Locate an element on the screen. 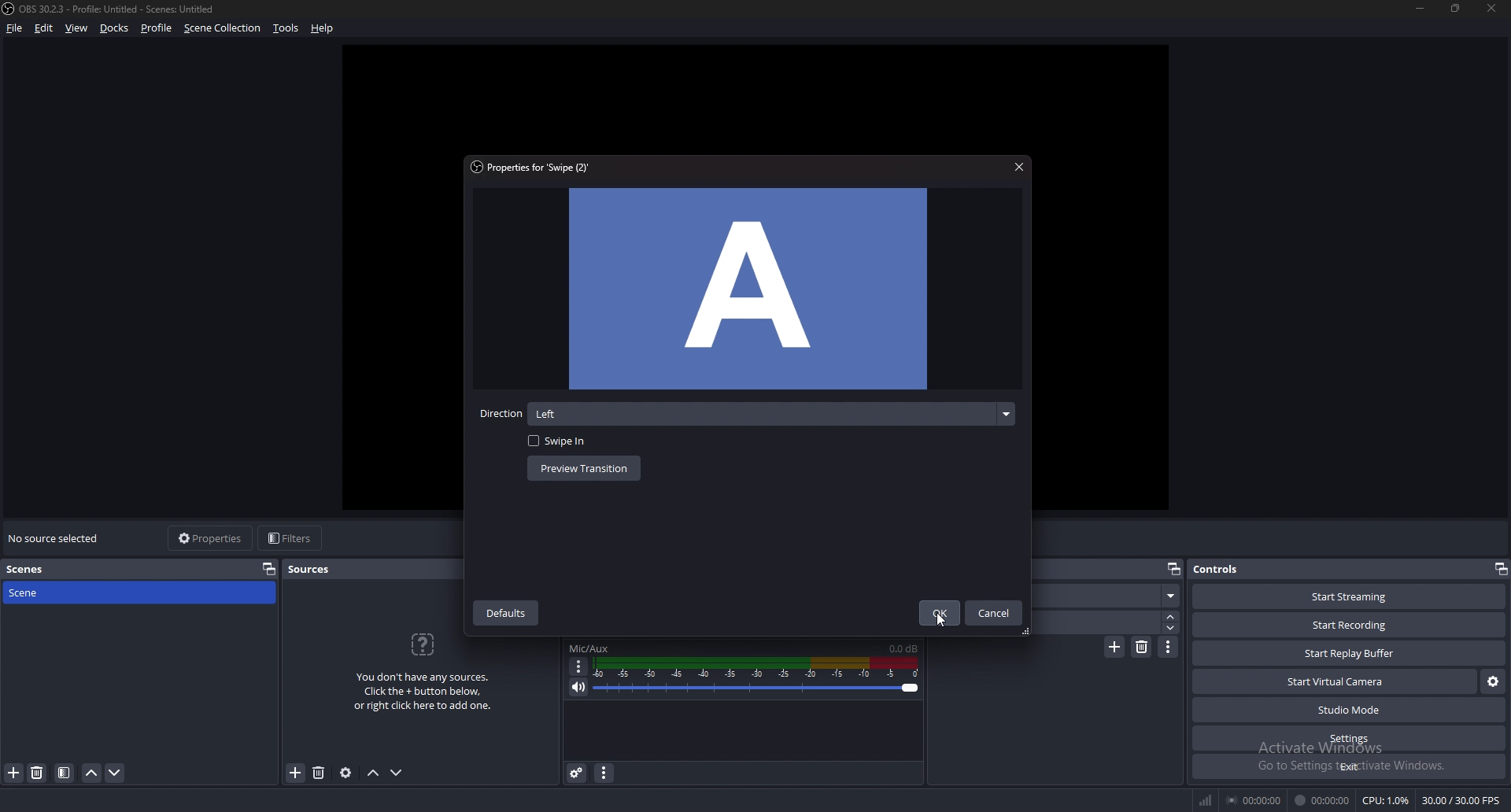  transition preview is located at coordinates (747, 290).